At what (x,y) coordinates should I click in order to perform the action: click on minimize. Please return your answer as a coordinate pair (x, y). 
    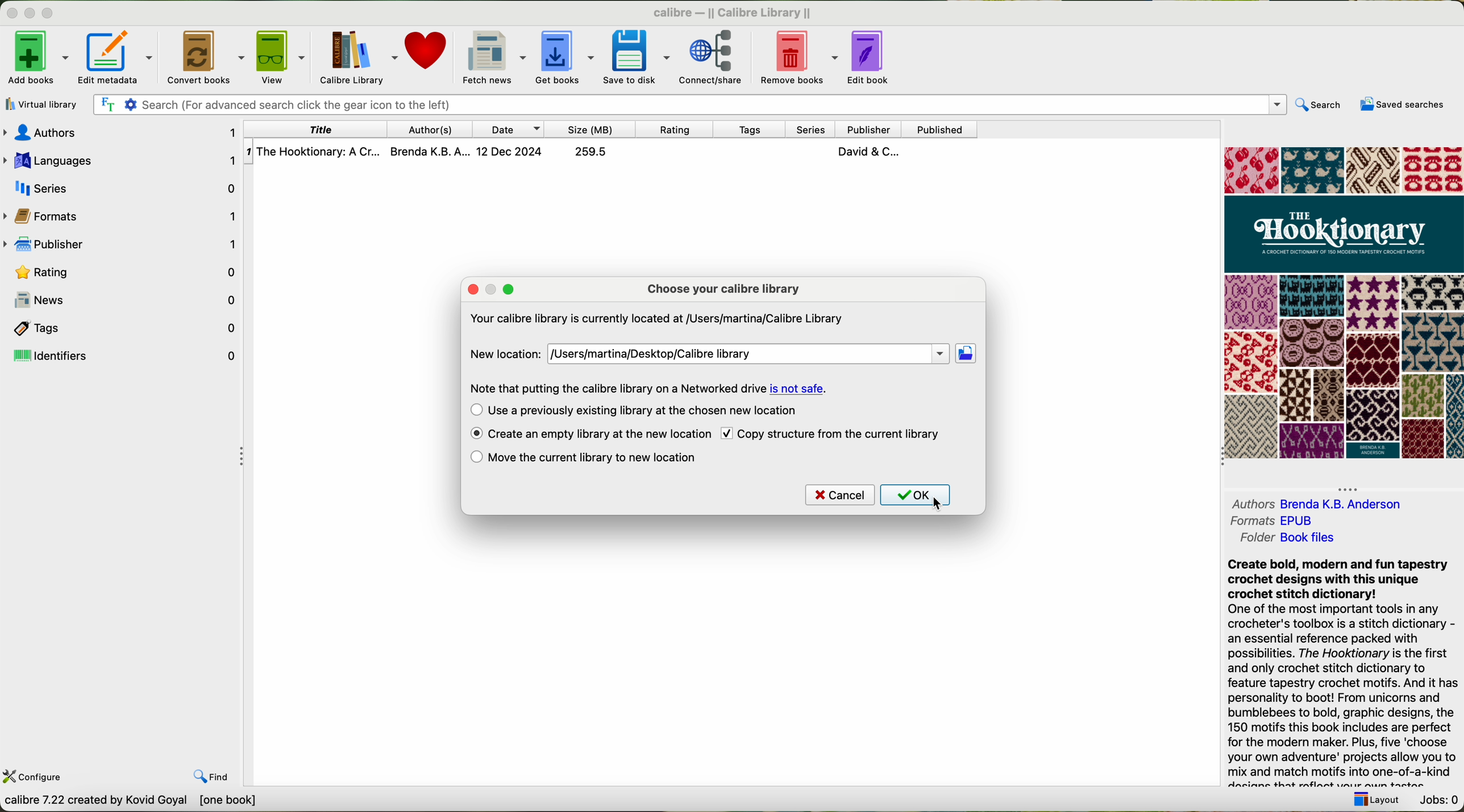
    Looking at the image, I should click on (30, 13).